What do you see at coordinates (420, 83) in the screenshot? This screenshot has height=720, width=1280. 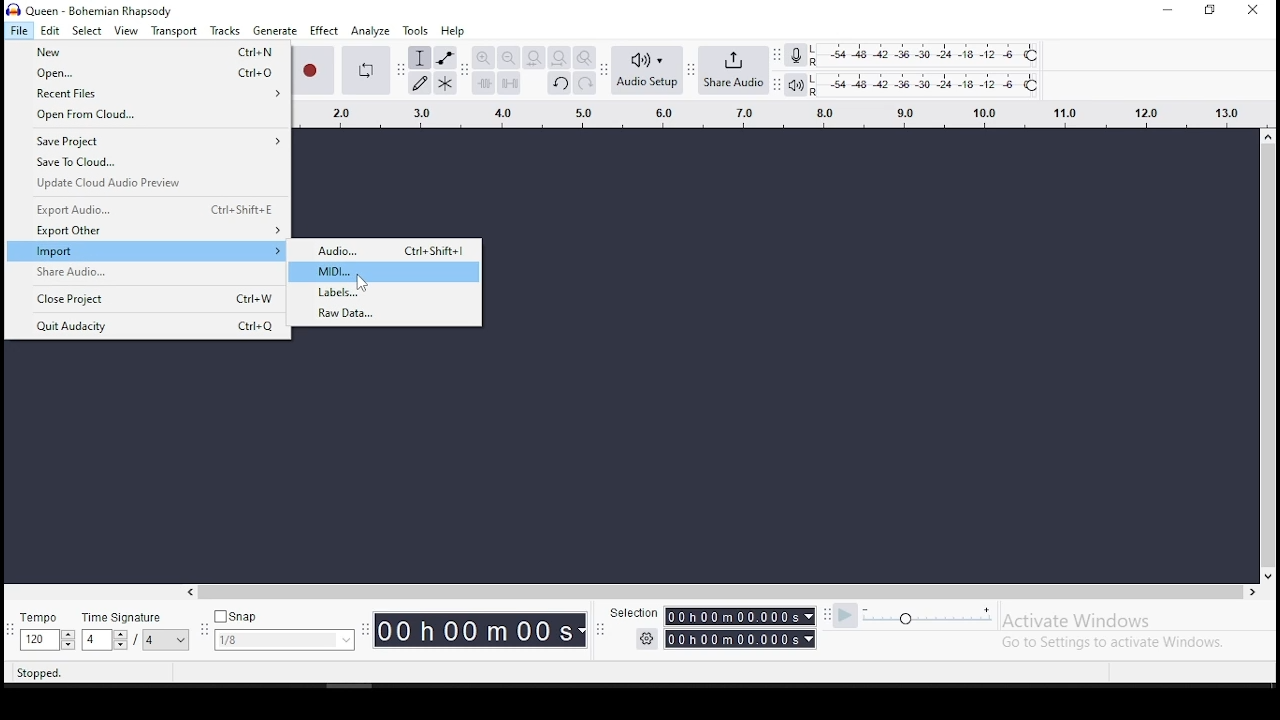 I see `draw tool` at bounding box center [420, 83].